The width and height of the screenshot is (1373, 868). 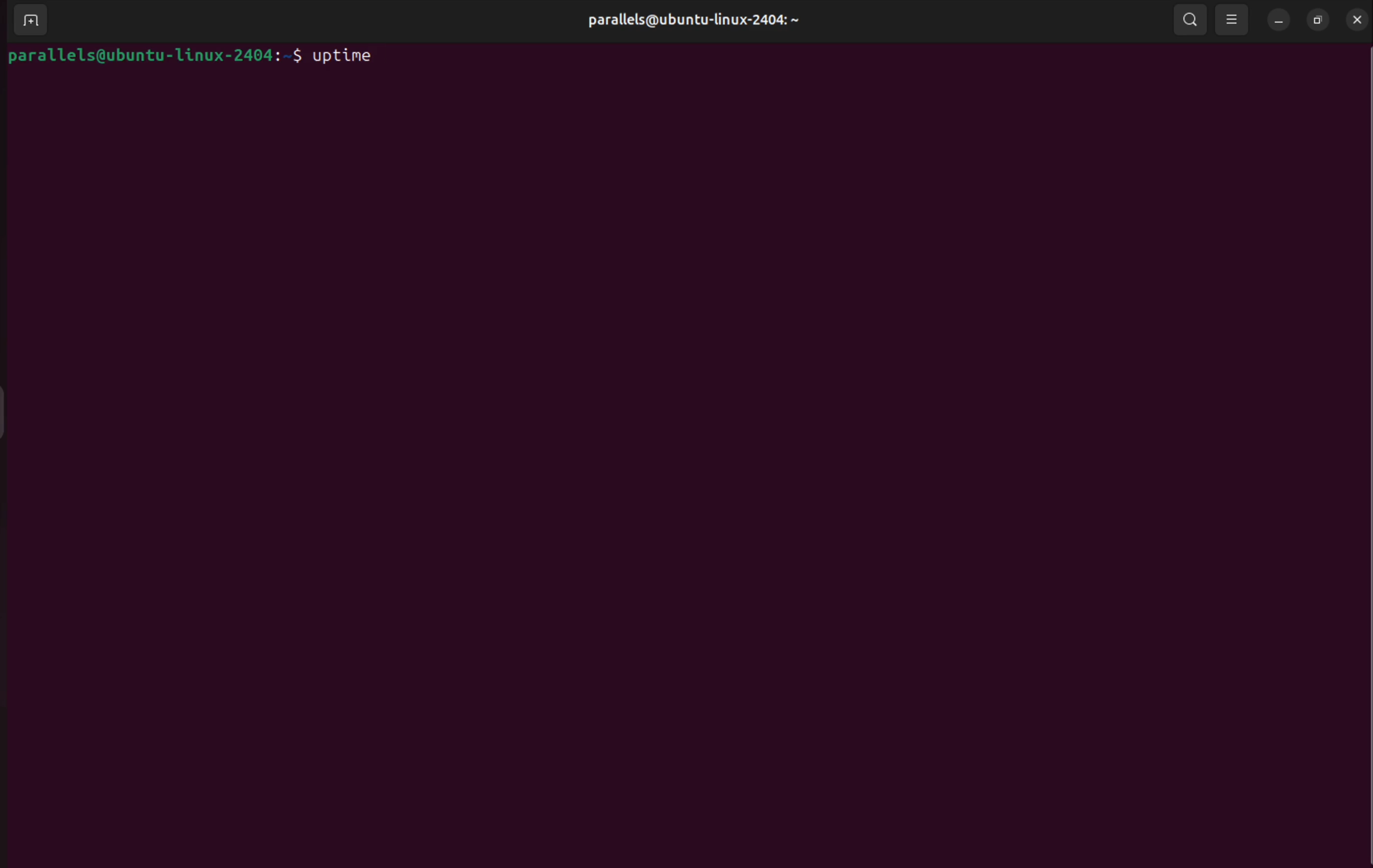 I want to click on parallels@ubuntu-linux-2404:-$, so click(x=154, y=60).